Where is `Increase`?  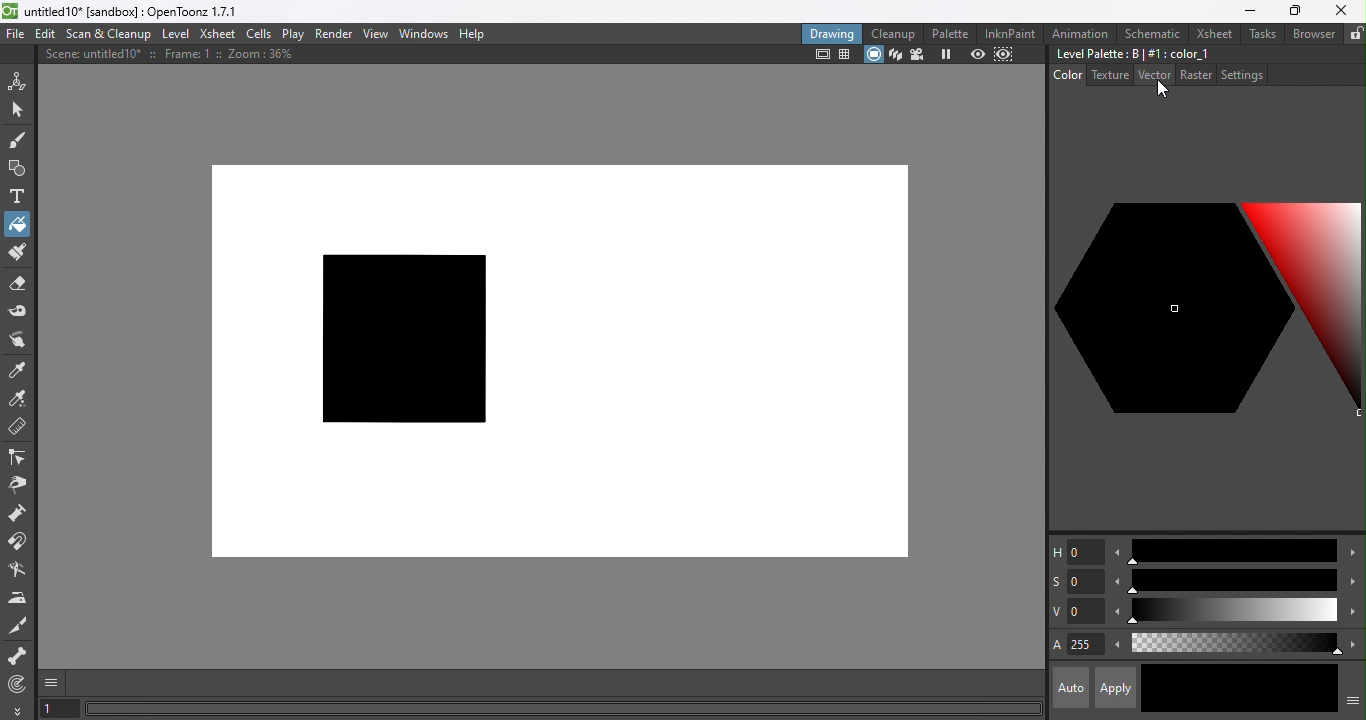 Increase is located at coordinates (1352, 643).